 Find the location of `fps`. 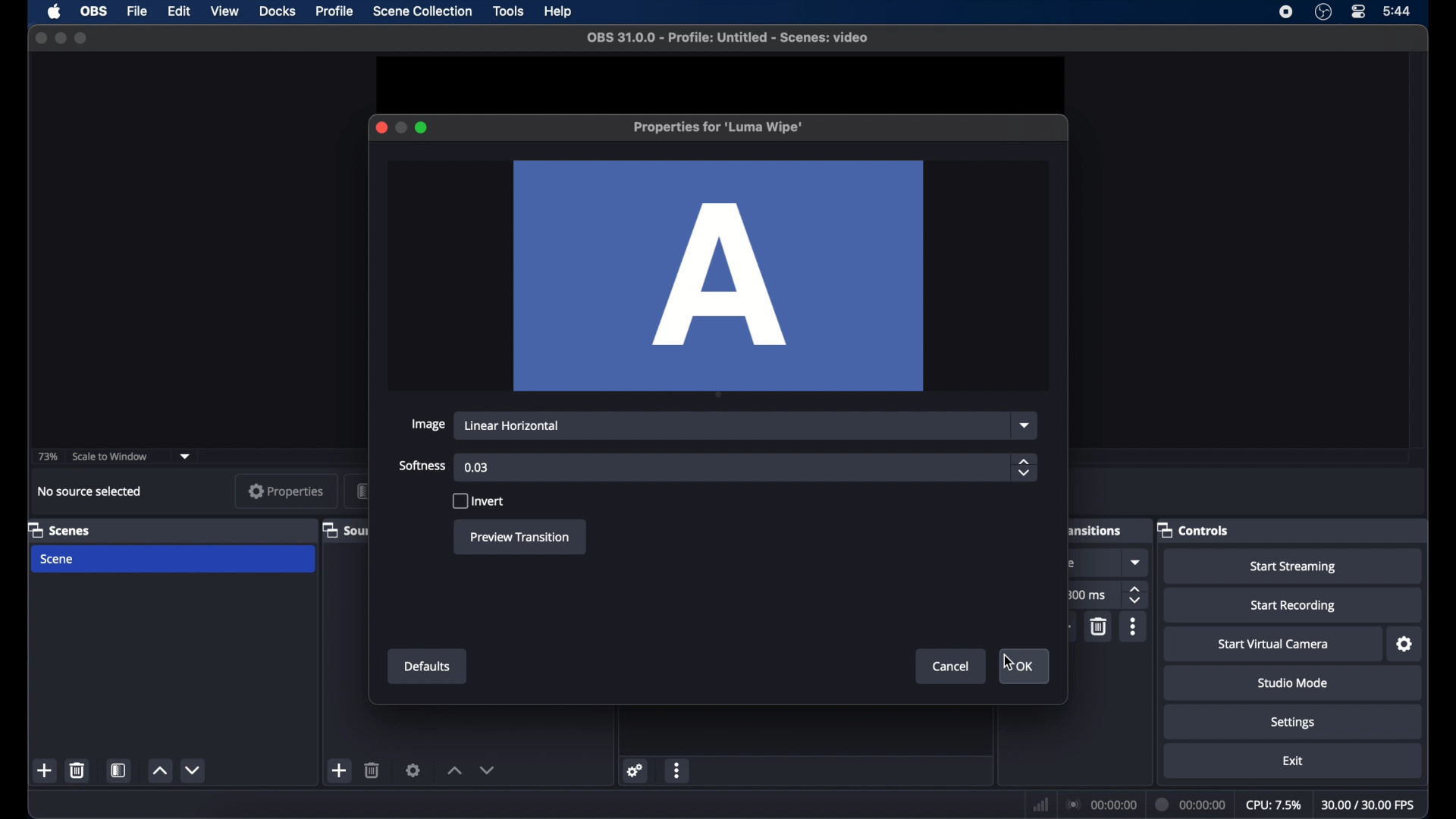

fps is located at coordinates (1368, 805).